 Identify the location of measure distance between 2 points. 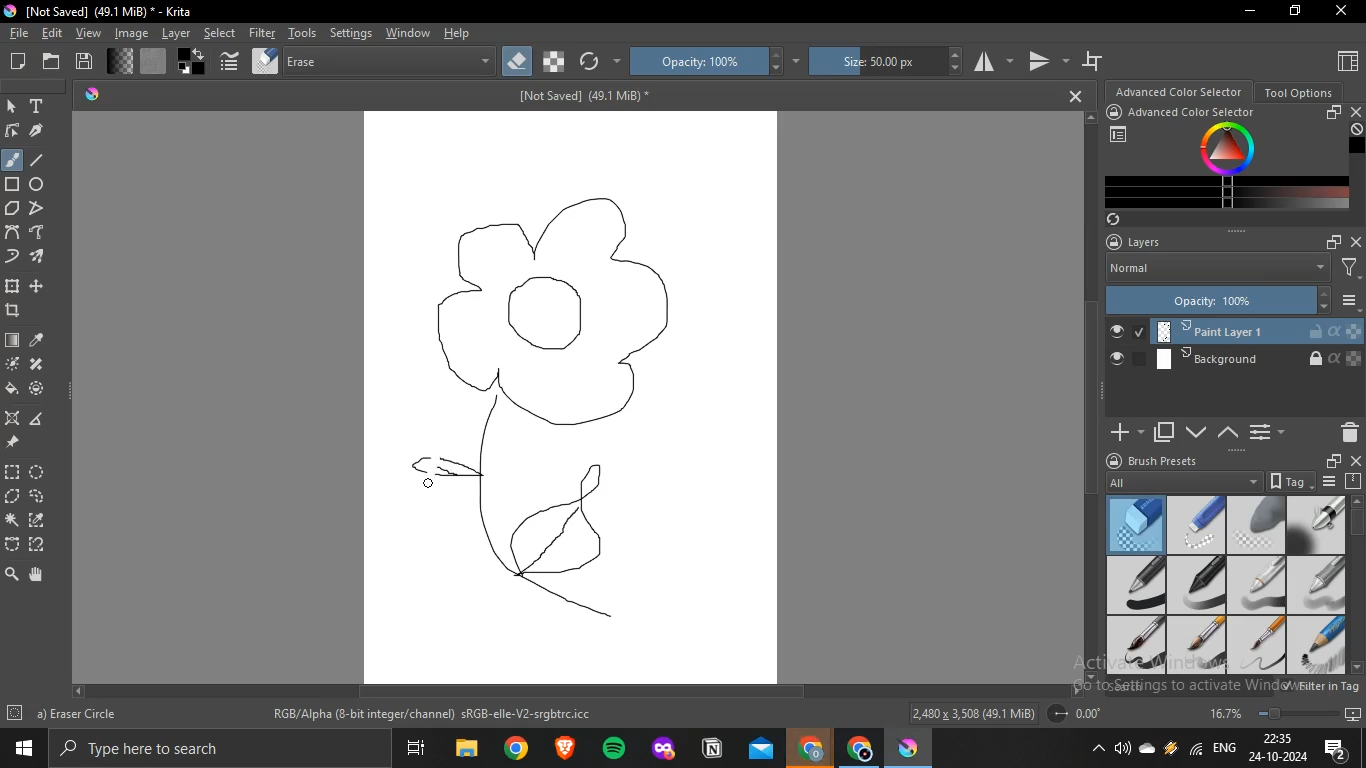
(38, 419).